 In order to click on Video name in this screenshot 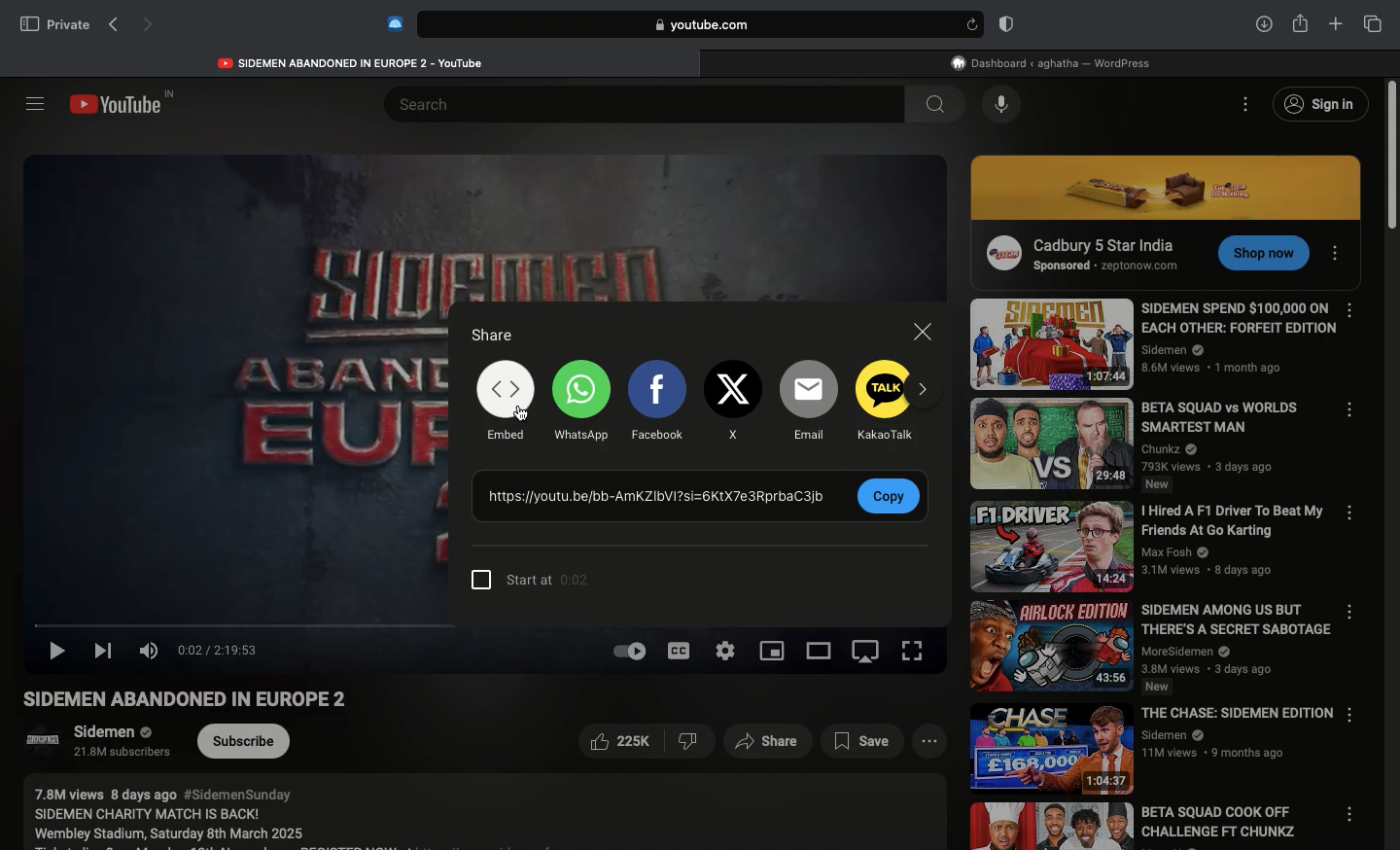, I will do `click(1153, 344)`.